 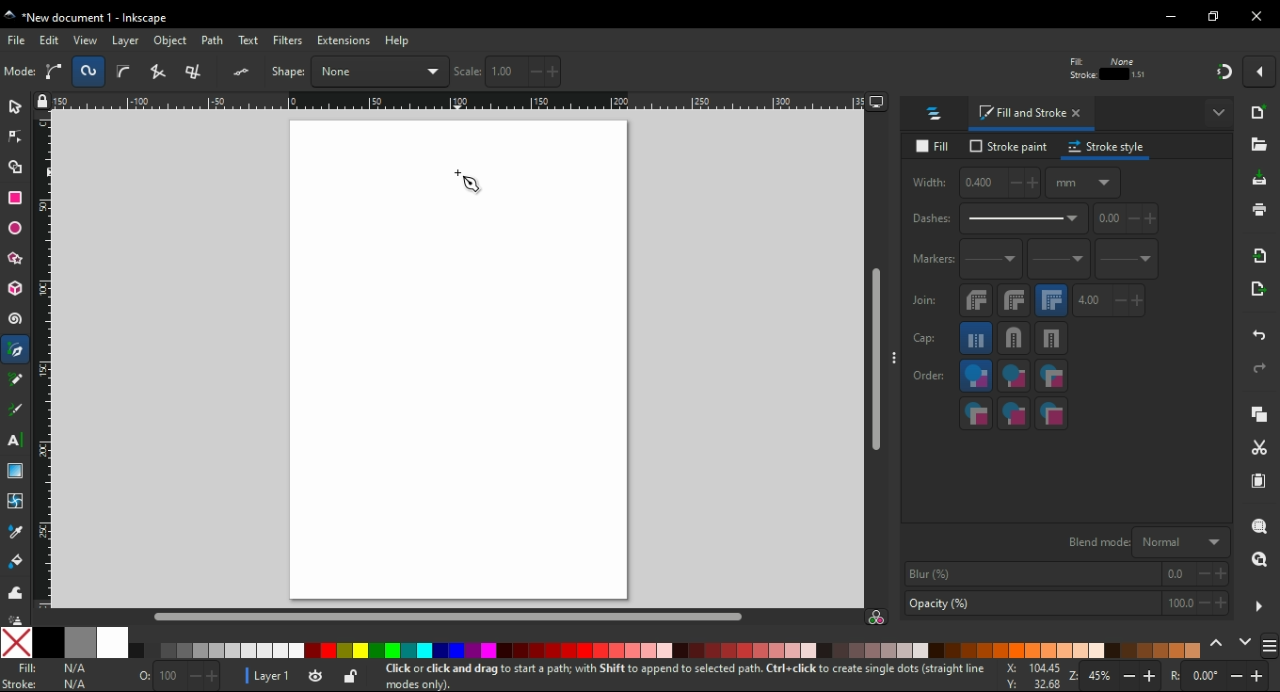 What do you see at coordinates (19, 561) in the screenshot?
I see `paint bucket tool` at bounding box center [19, 561].